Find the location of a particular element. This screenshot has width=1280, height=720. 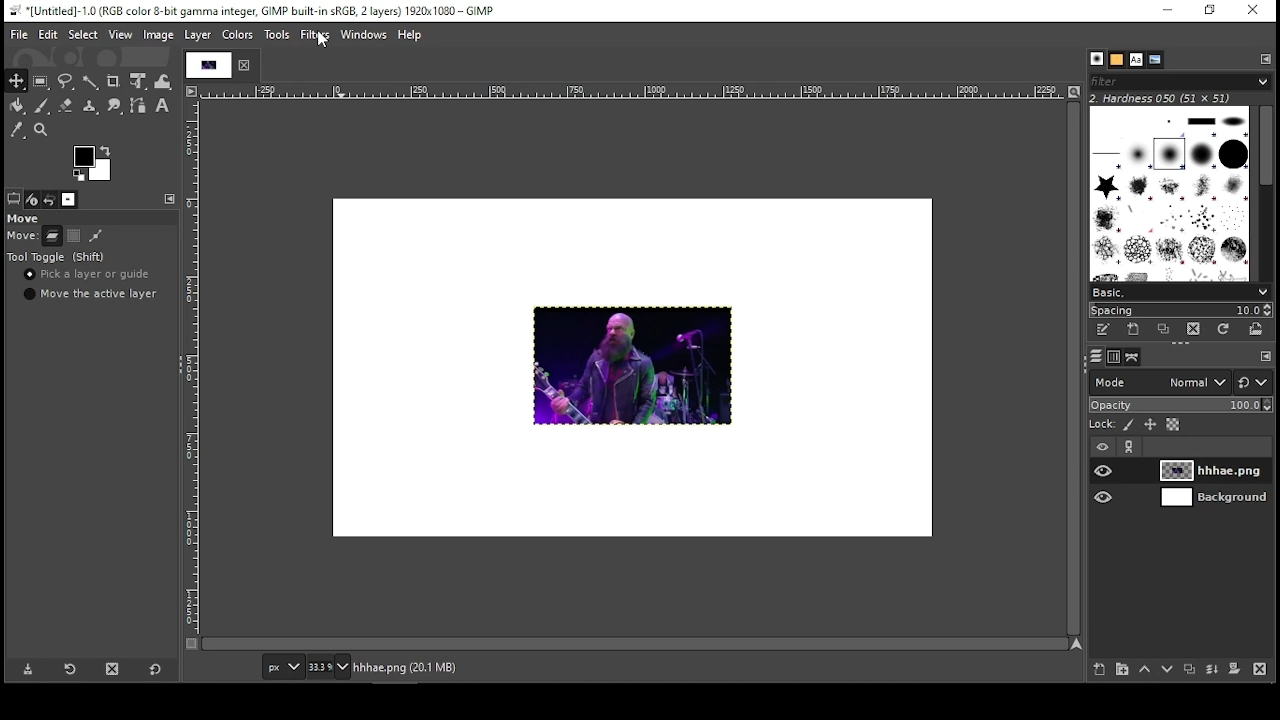

link is located at coordinates (1131, 447).